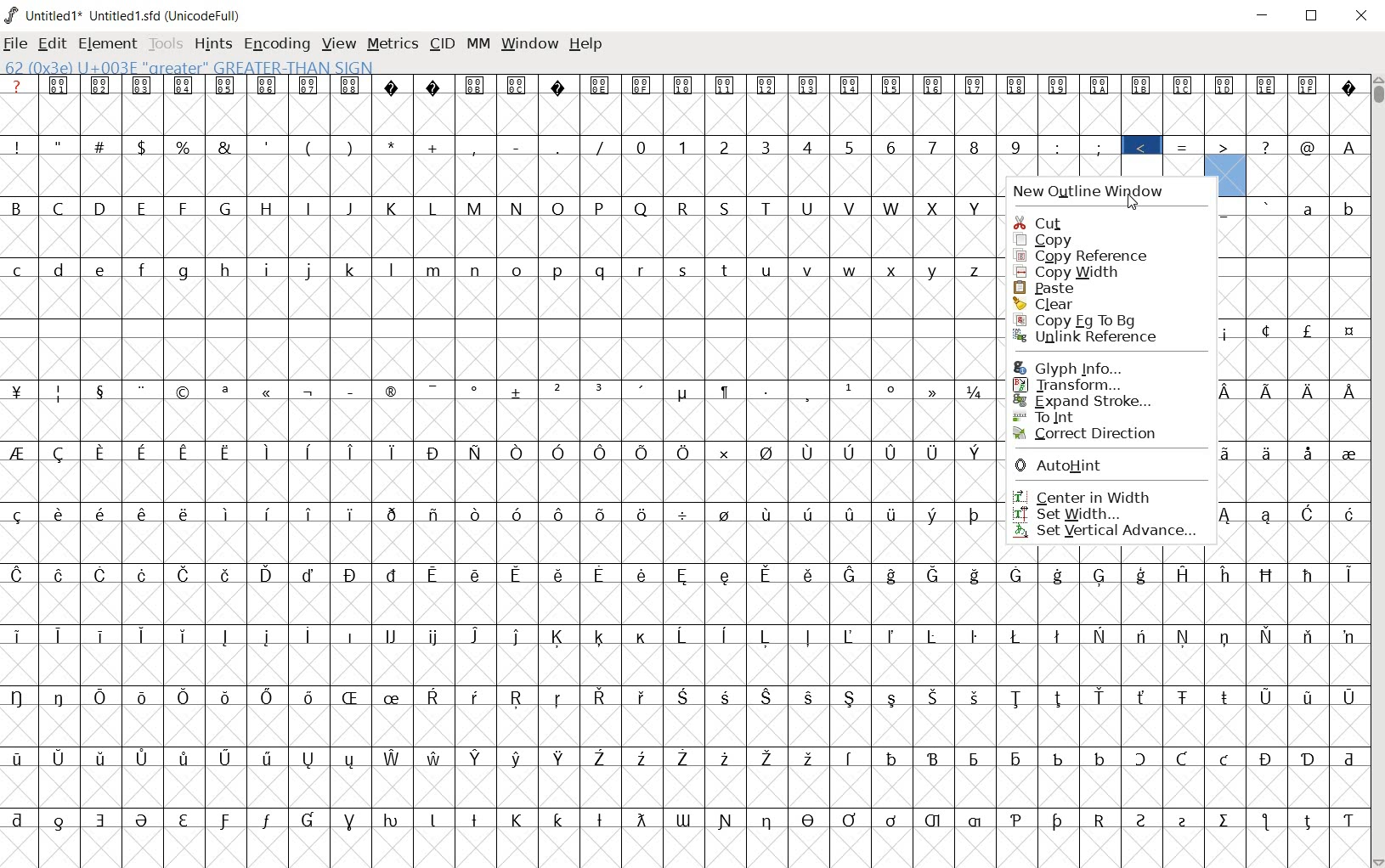  I want to click on Unlink Reference, so click(1096, 336).